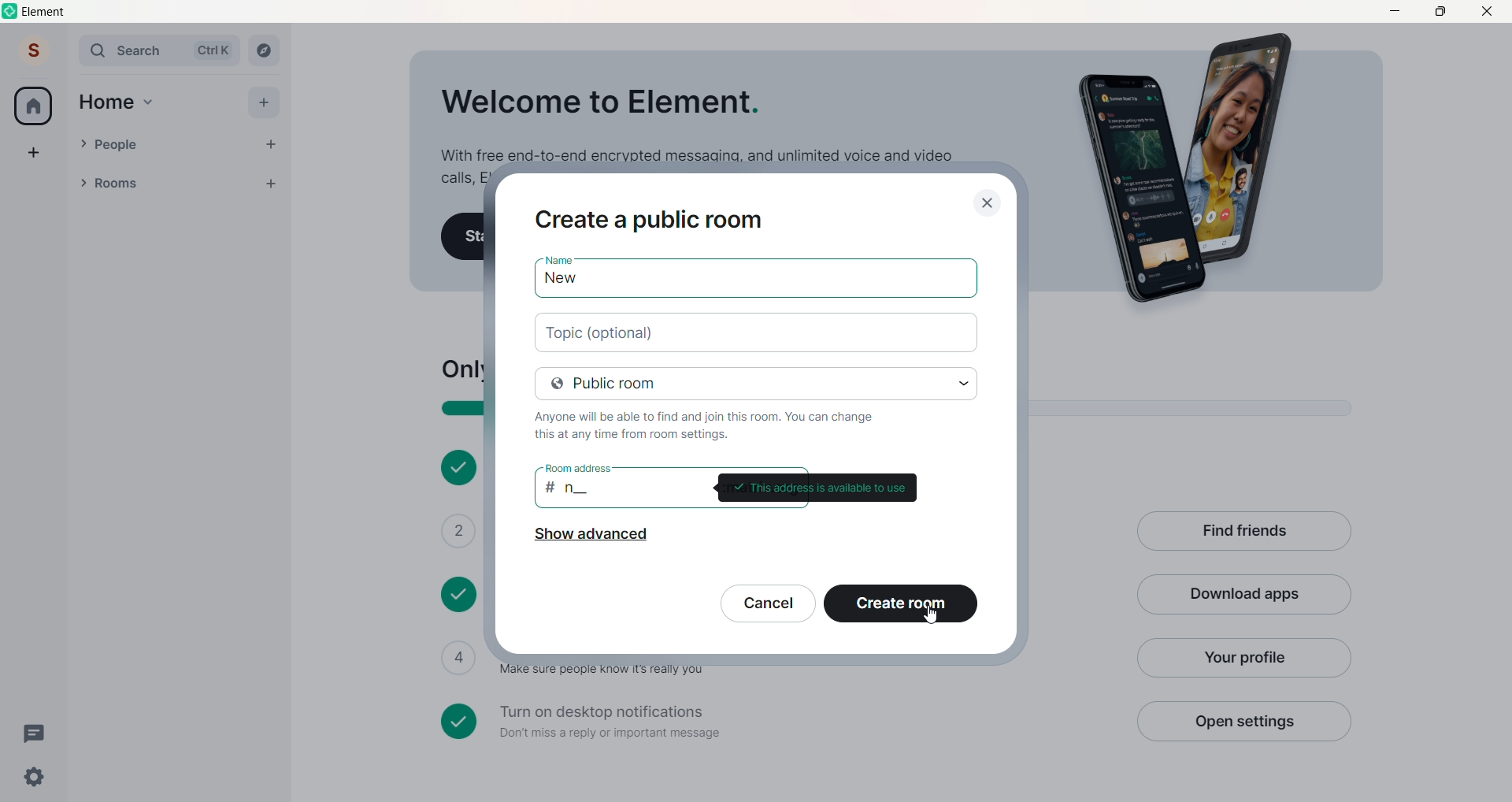 This screenshot has height=802, width=1512. What do you see at coordinates (655, 217) in the screenshot?
I see `Create a private room` at bounding box center [655, 217].